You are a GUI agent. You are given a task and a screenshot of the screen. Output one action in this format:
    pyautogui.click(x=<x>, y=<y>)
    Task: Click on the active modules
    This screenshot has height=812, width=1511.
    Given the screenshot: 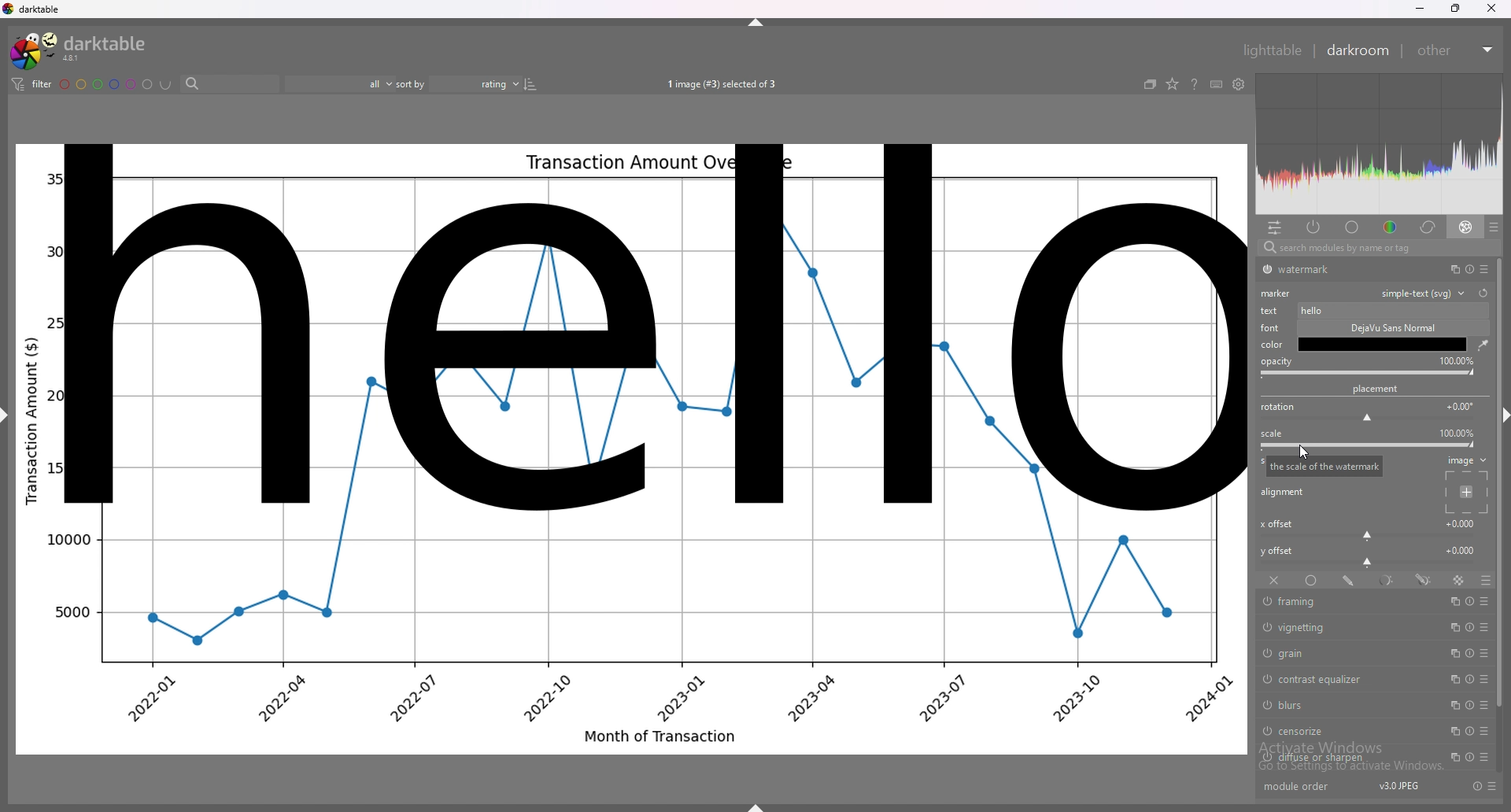 What is the action you would take?
    pyautogui.click(x=1315, y=228)
    